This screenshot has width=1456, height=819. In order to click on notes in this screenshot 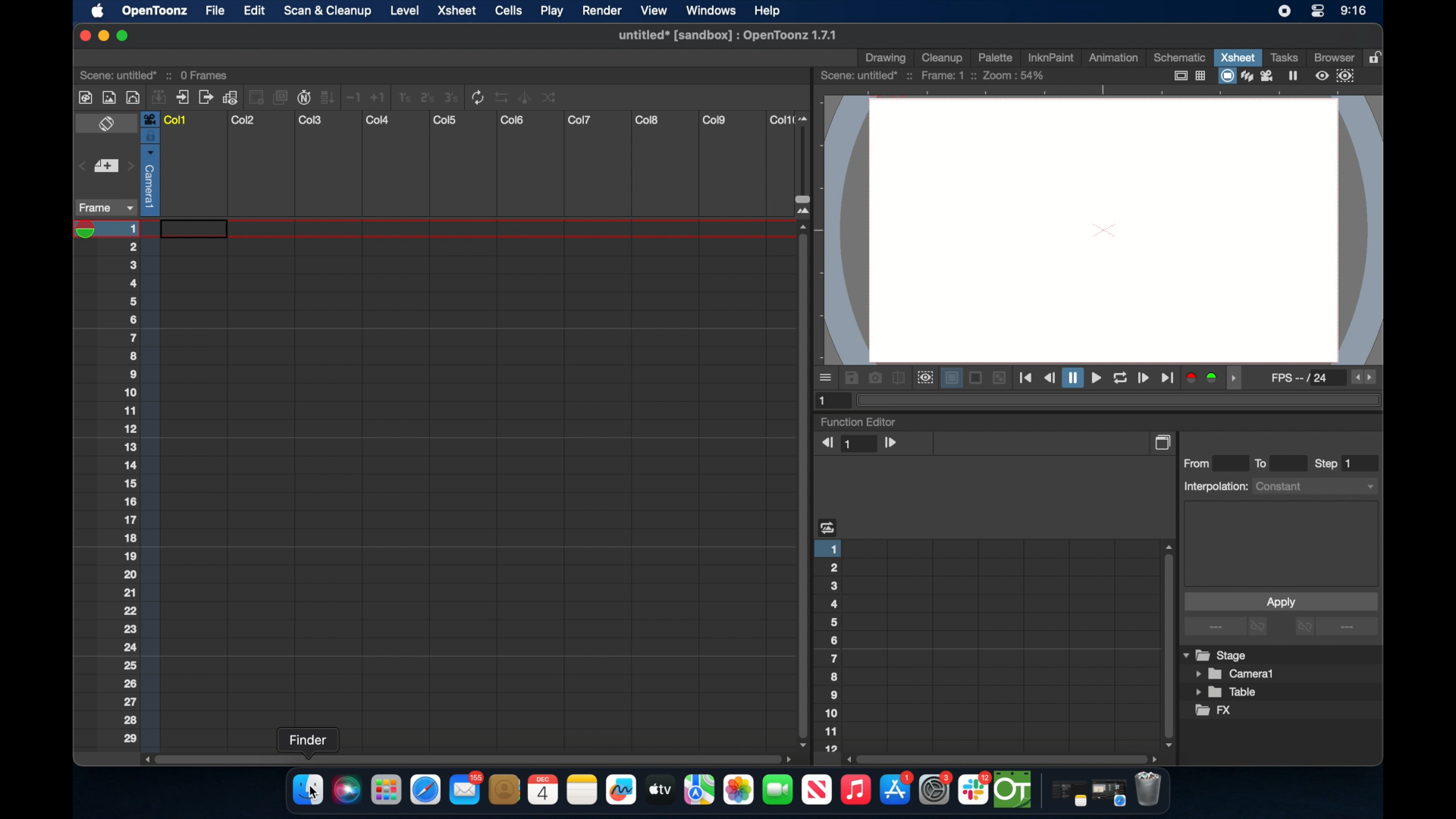, I will do `click(1065, 795)`.